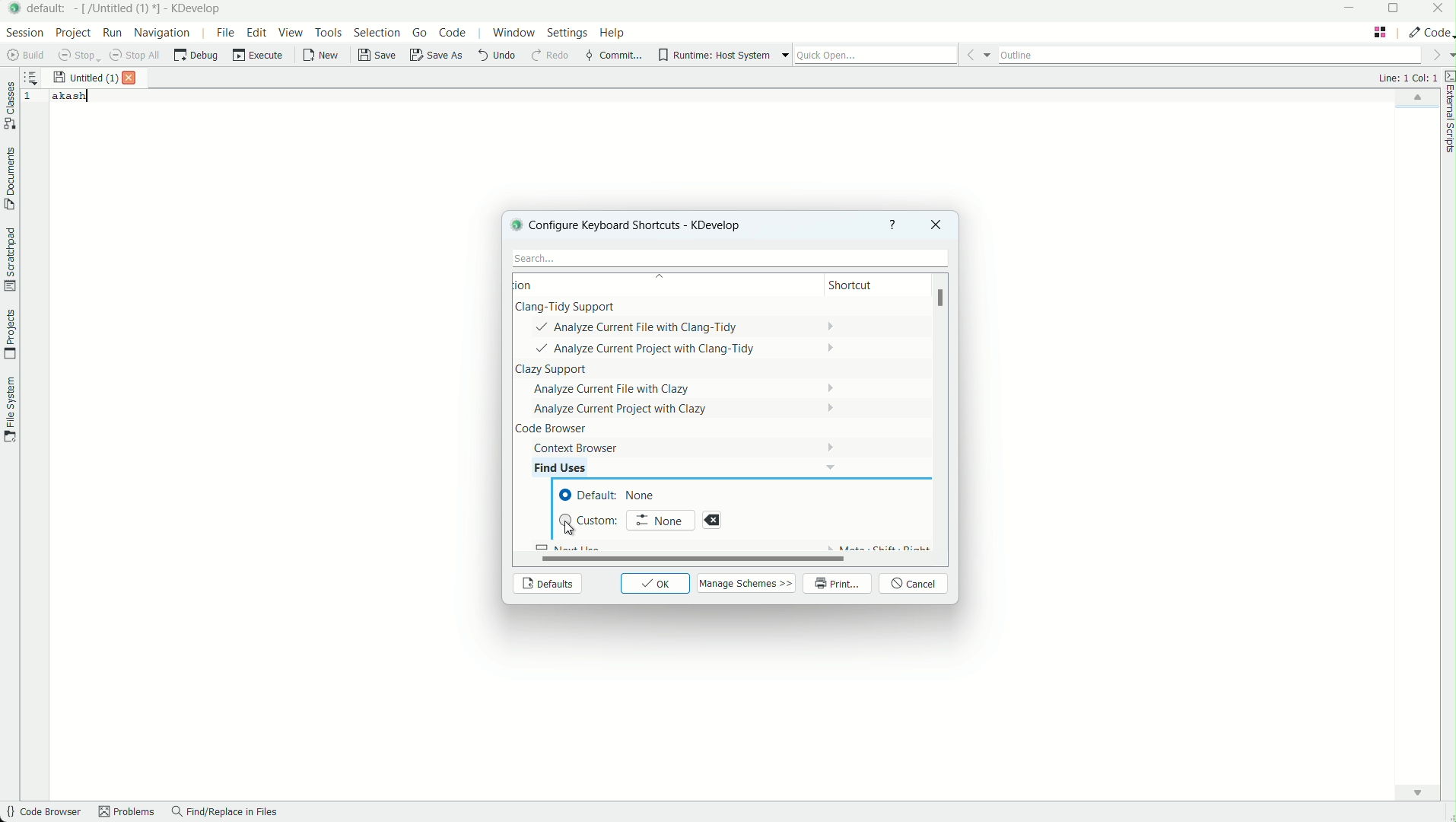  I want to click on run menu, so click(113, 33).